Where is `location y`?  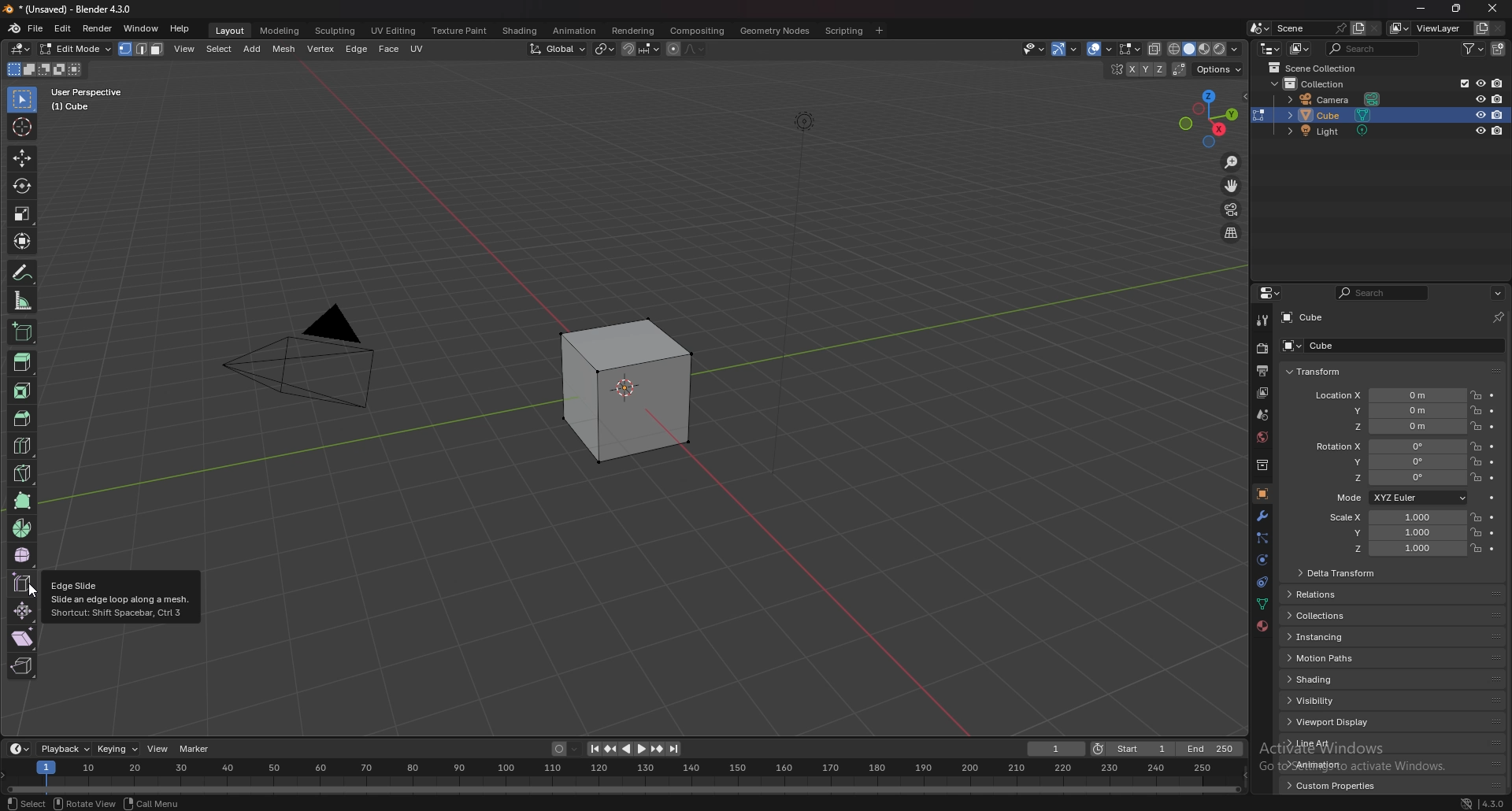 location y is located at coordinates (1395, 410).